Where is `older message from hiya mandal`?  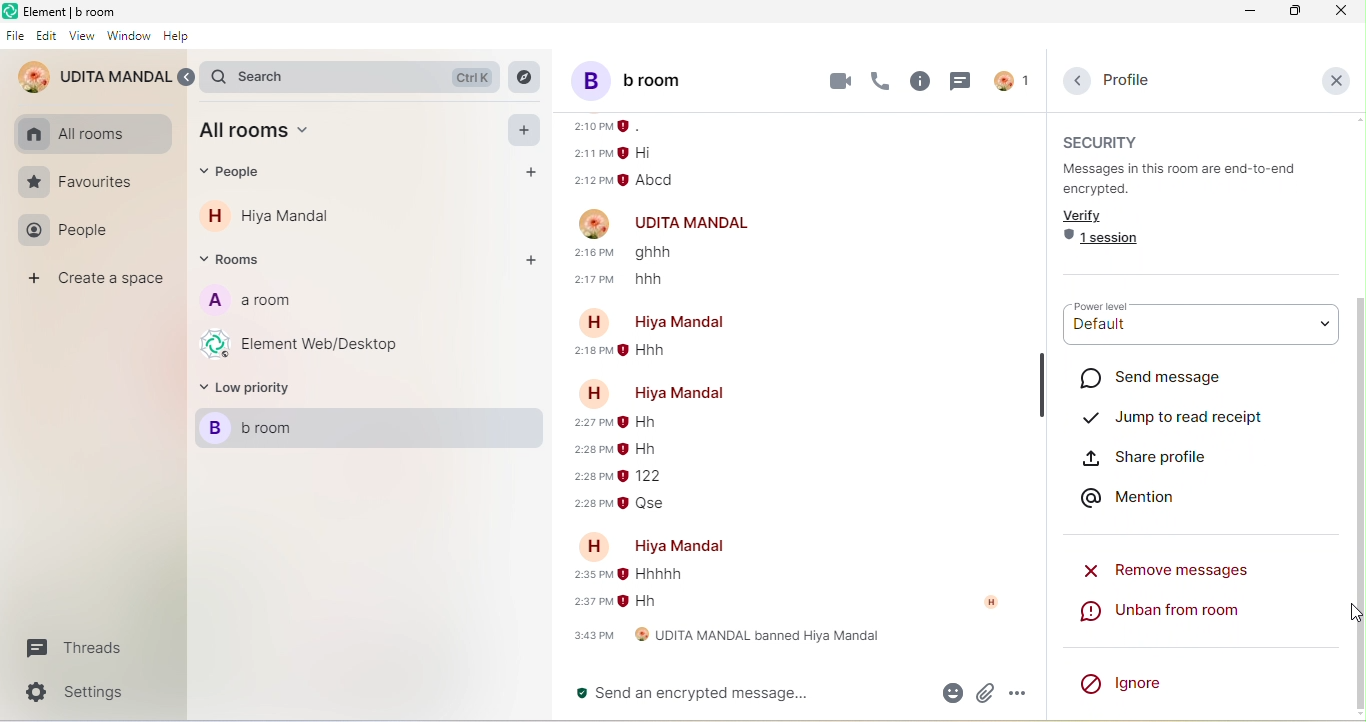
older message from hiya mandal is located at coordinates (652, 467).